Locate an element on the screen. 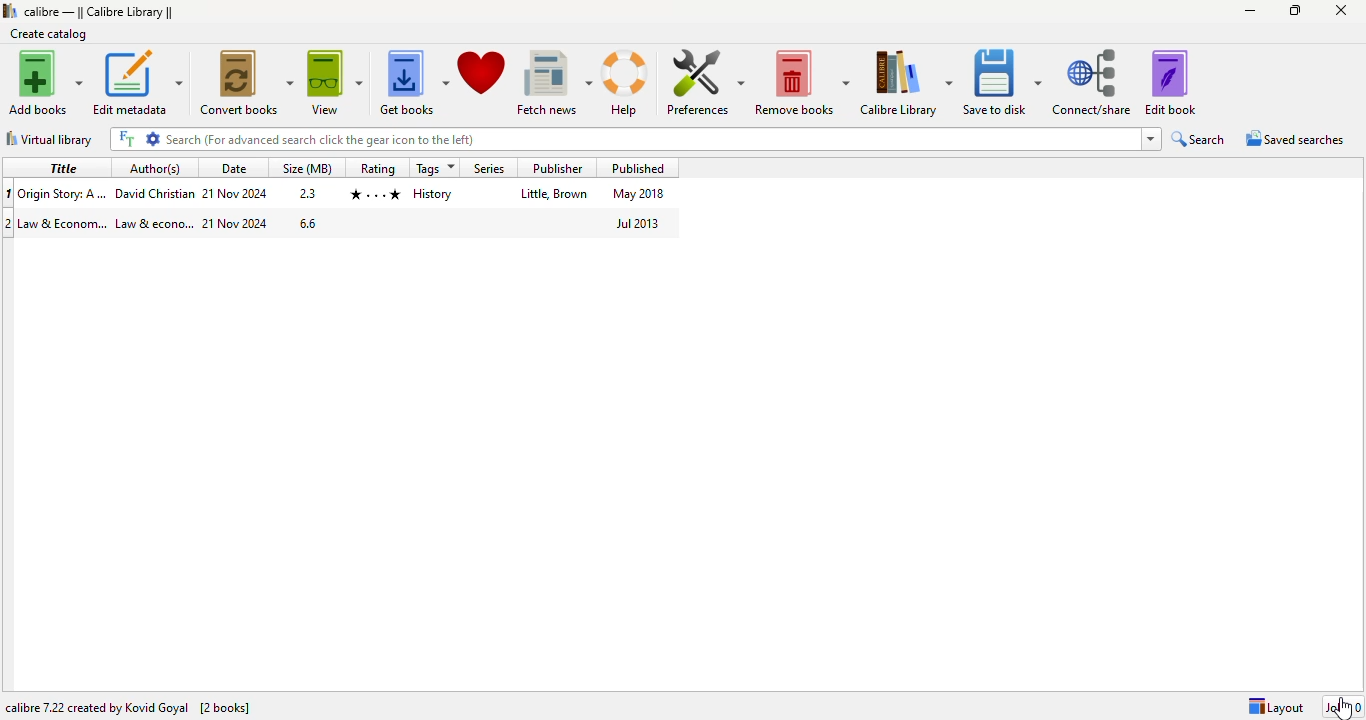  size (MB) is located at coordinates (308, 168).